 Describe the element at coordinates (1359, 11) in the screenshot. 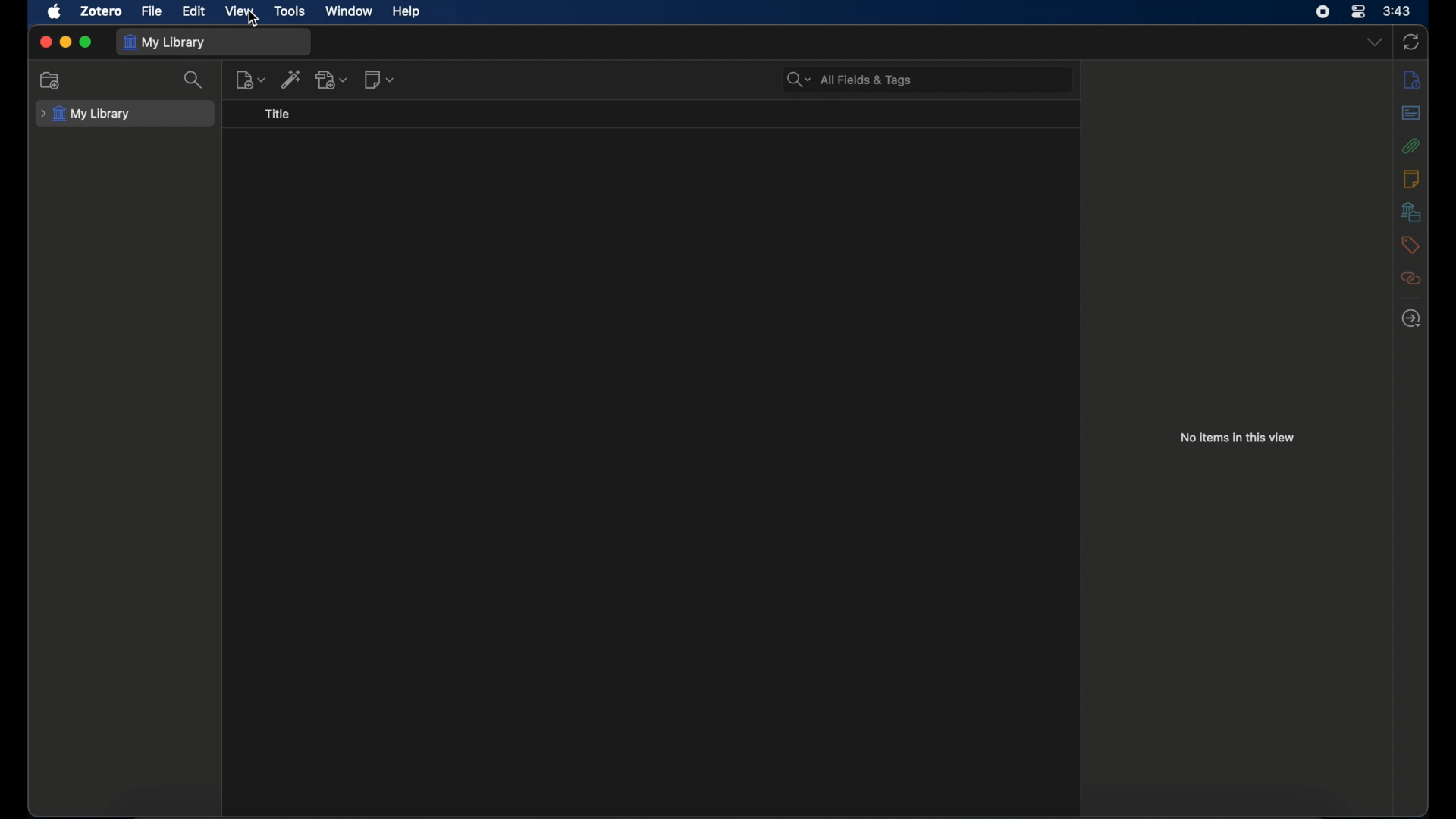

I see `control center` at that location.